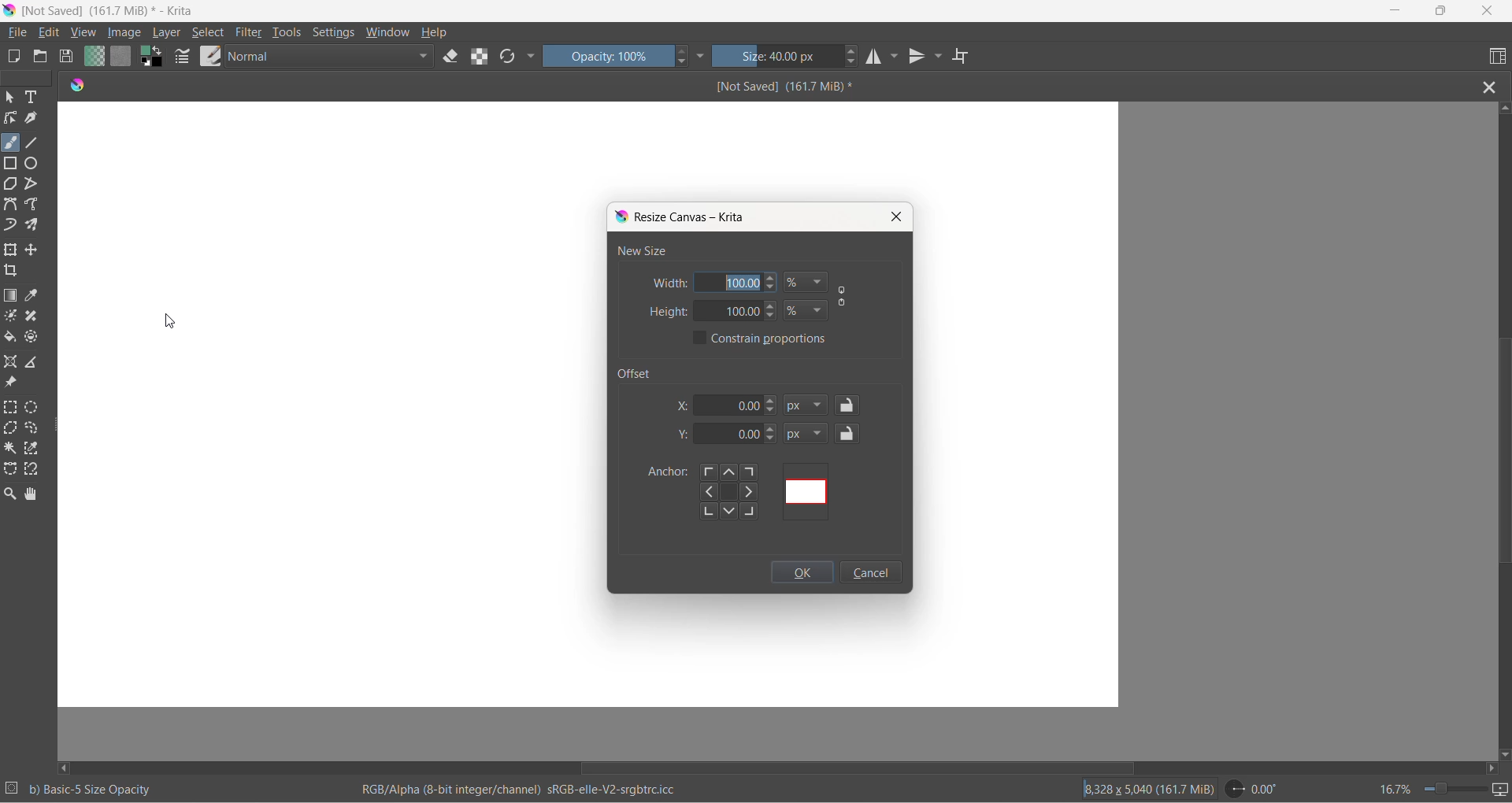  What do you see at coordinates (13, 297) in the screenshot?
I see `draw a gradient` at bounding box center [13, 297].